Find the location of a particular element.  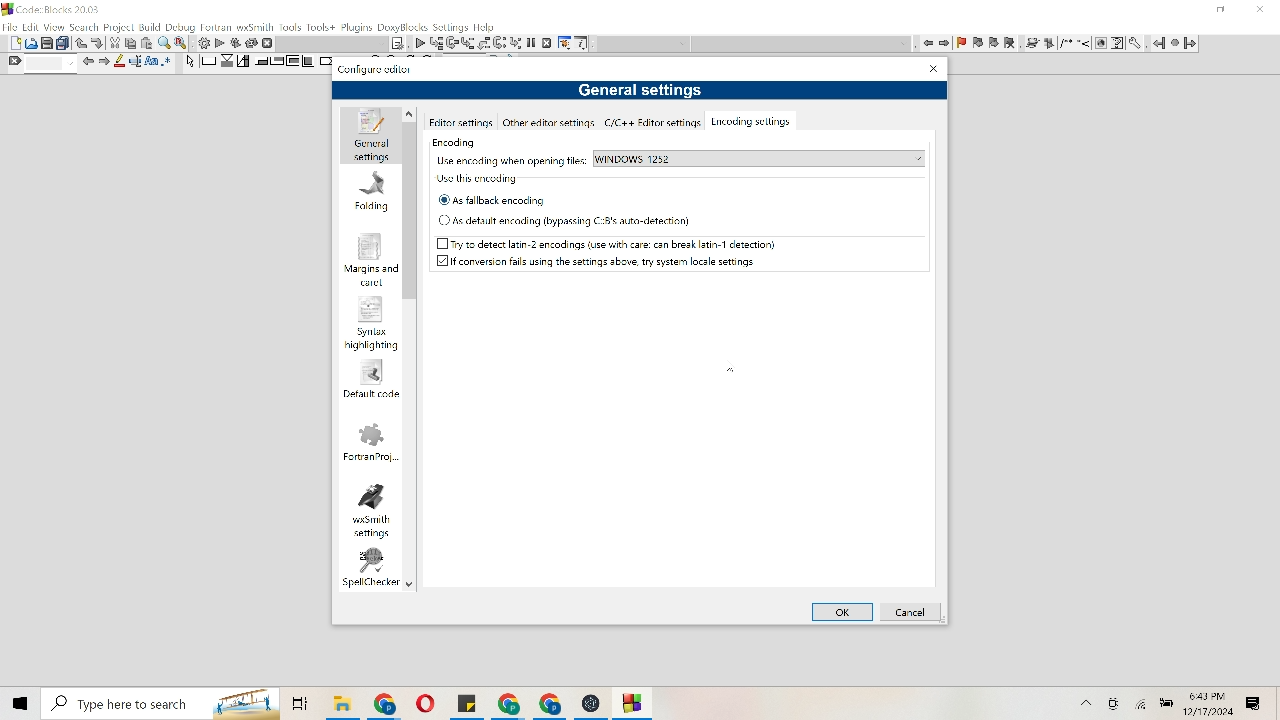

changes to image is located at coordinates (1073, 44).